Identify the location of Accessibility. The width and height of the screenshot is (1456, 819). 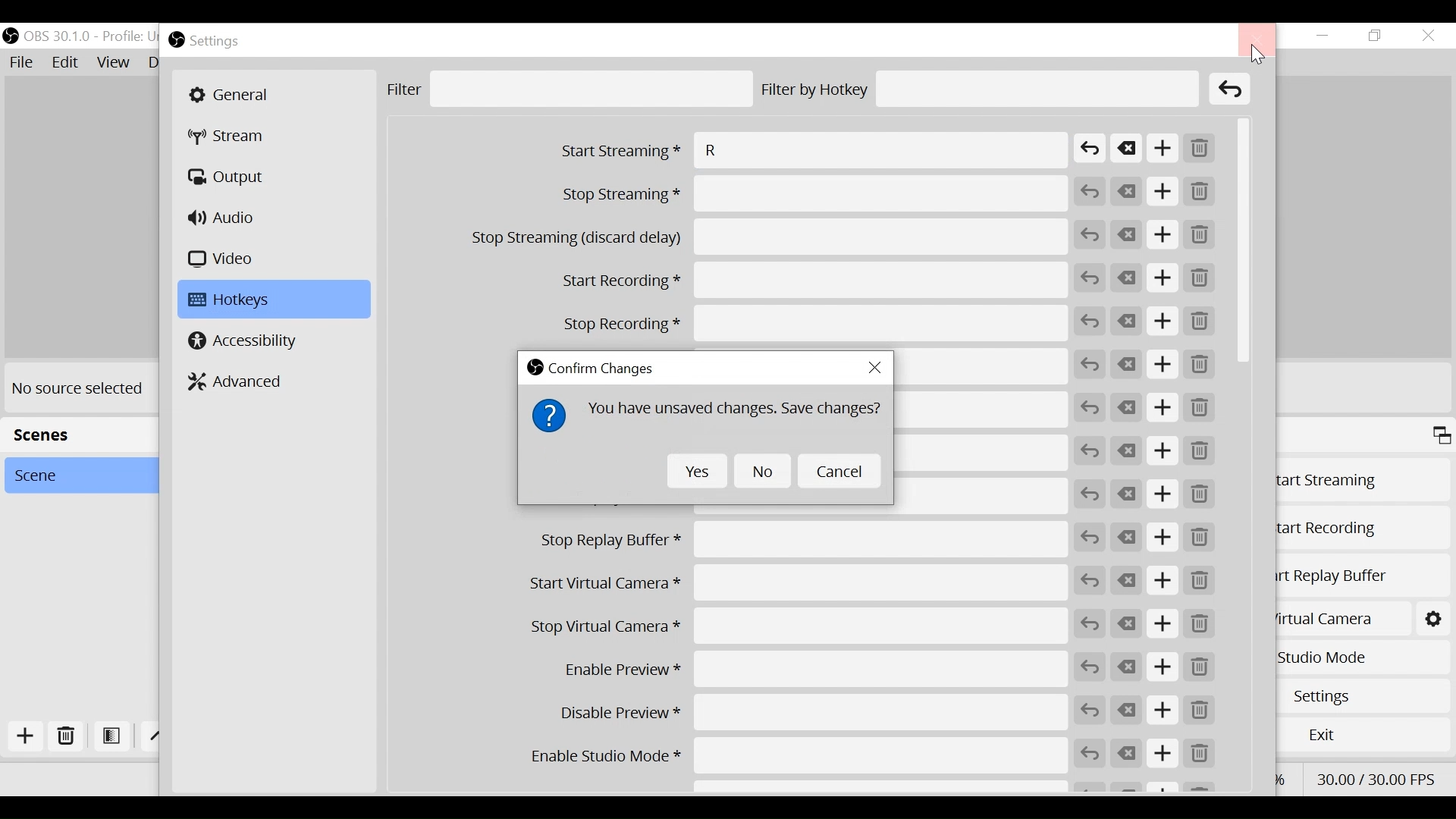
(244, 341).